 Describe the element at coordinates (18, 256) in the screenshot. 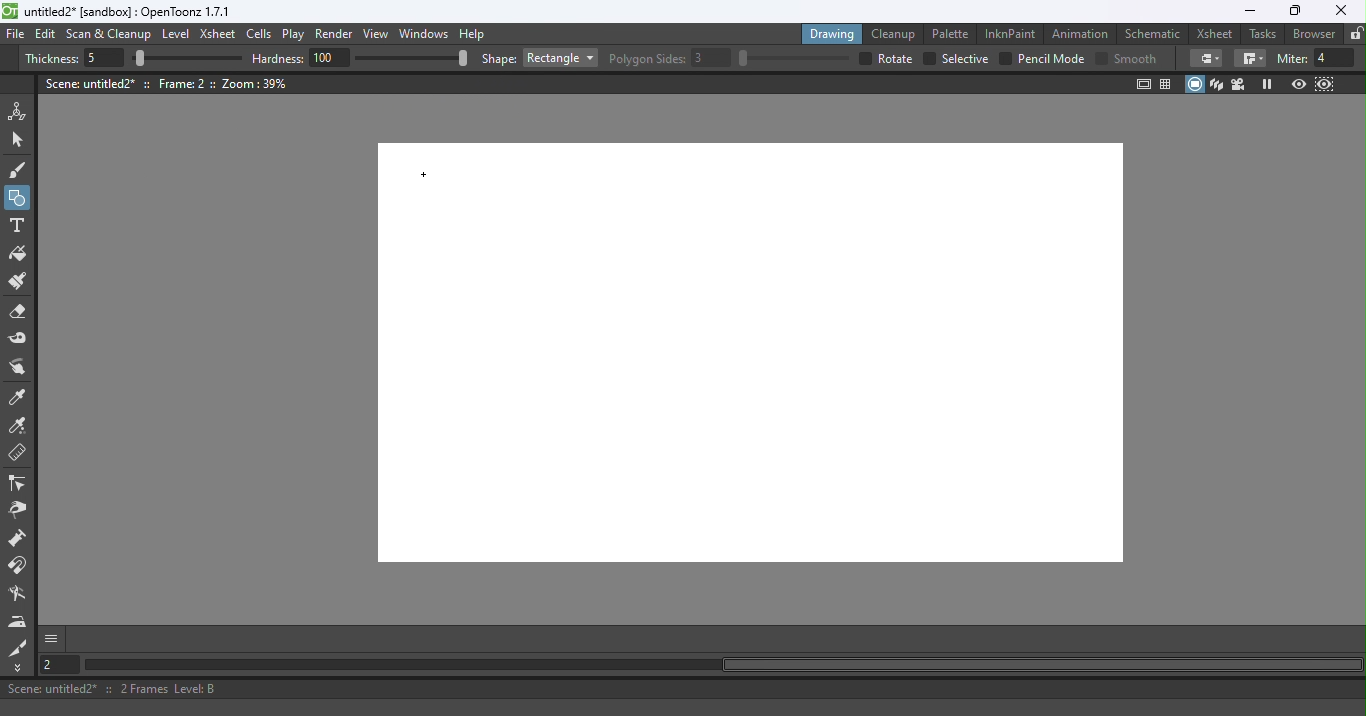

I see `Fill tool` at that location.